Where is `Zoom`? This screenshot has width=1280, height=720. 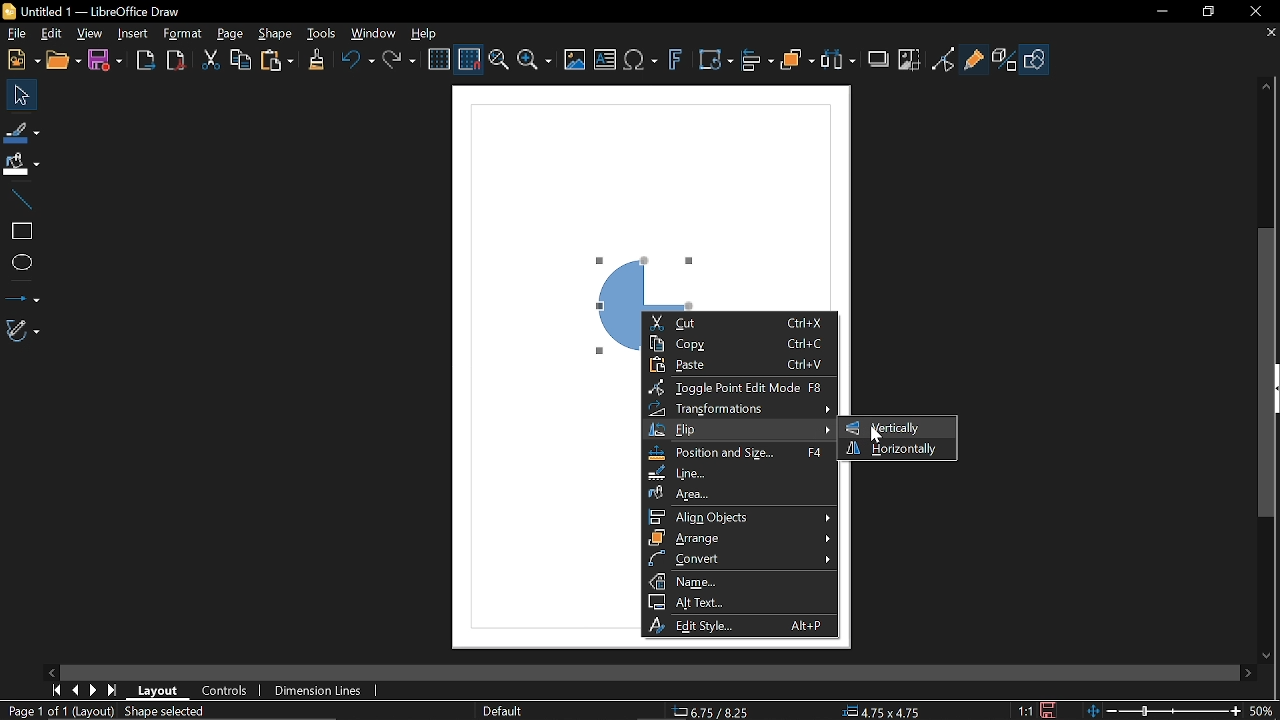
Zoom is located at coordinates (534, 62).